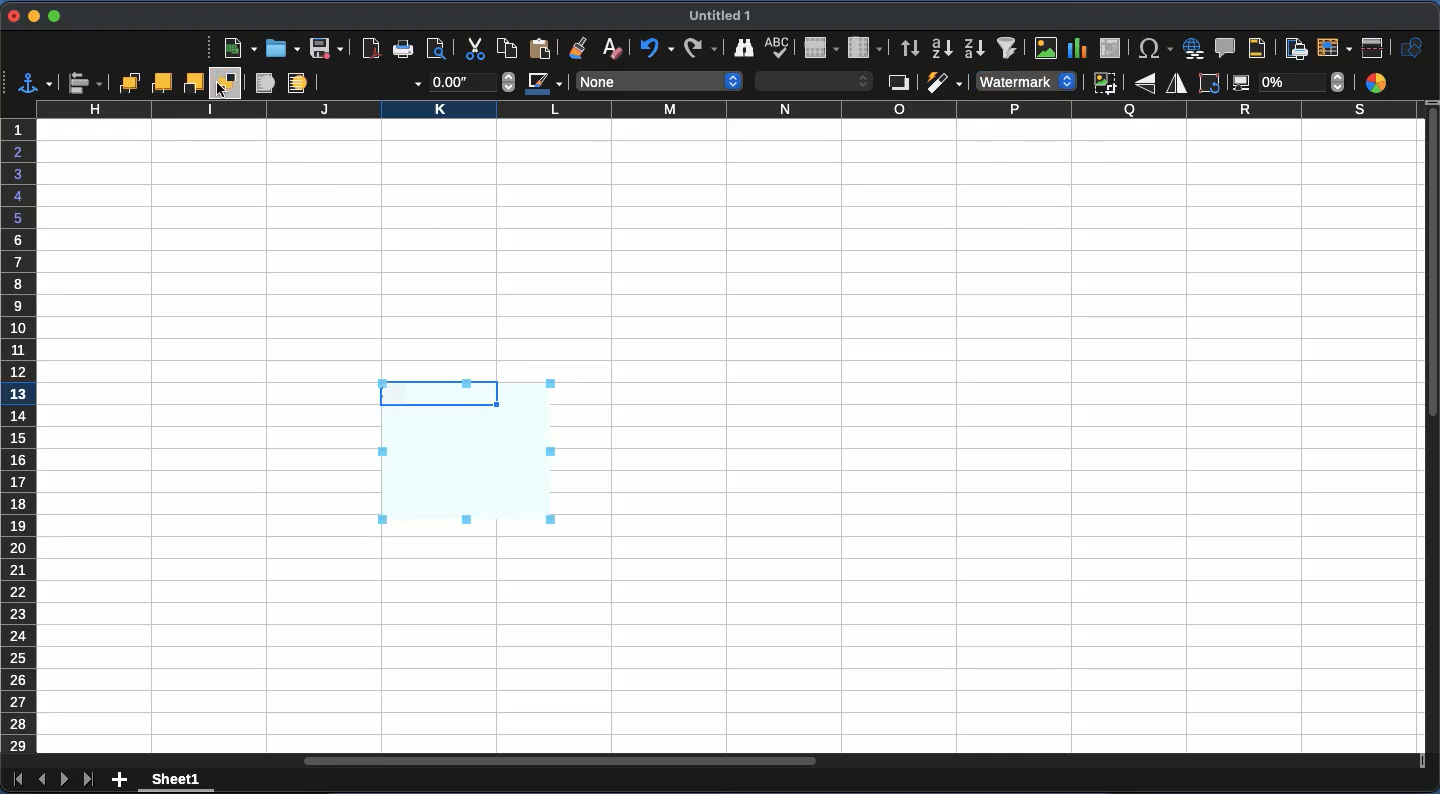 This screenshot has width=1440, height=794. What do you see at coordinates (402, 48) in the screenshot?
I see `print` at bounding box center [402, 48].